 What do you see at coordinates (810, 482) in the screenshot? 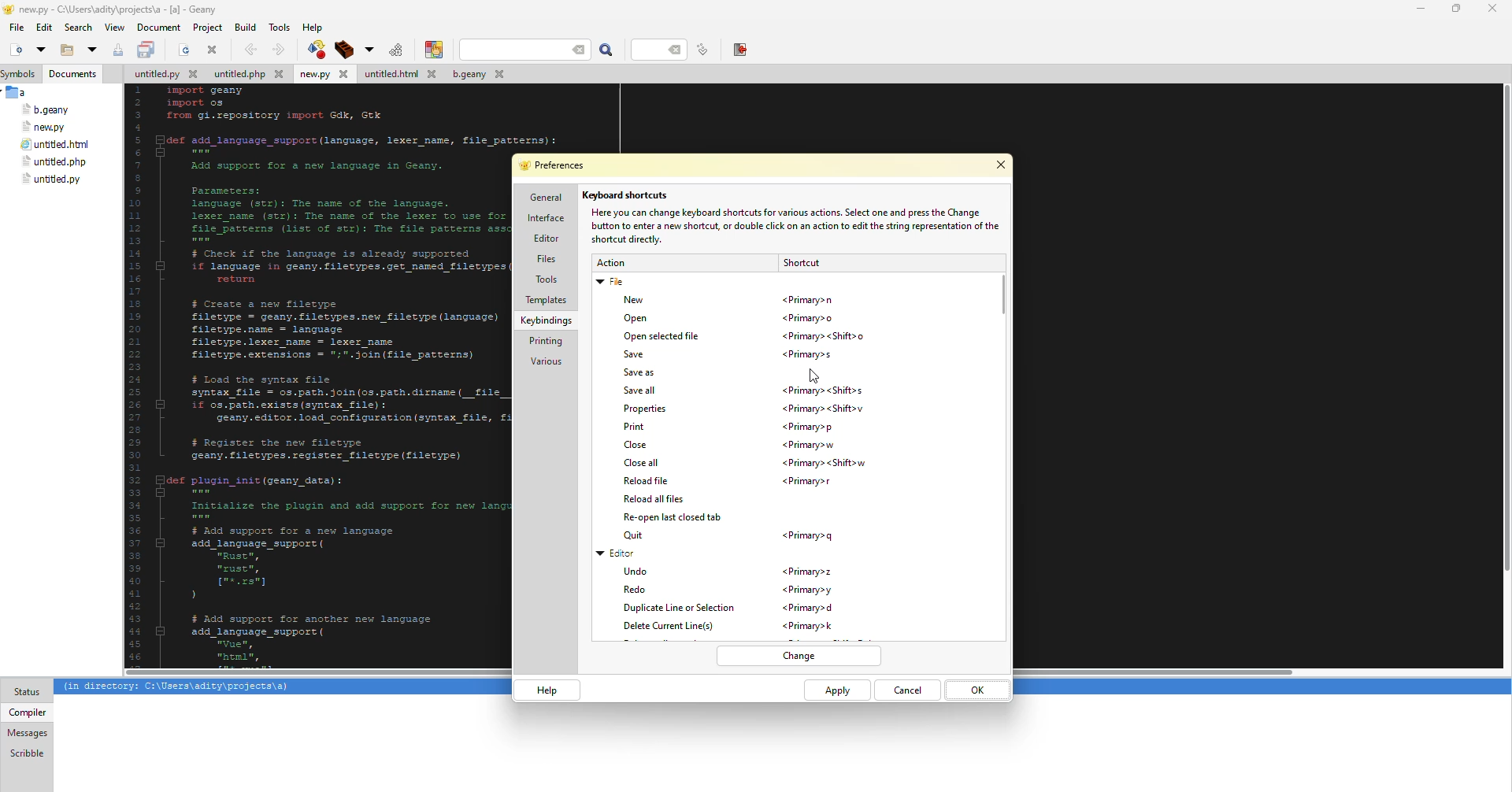
I see `shortcut` at bounding box center [810, 482].